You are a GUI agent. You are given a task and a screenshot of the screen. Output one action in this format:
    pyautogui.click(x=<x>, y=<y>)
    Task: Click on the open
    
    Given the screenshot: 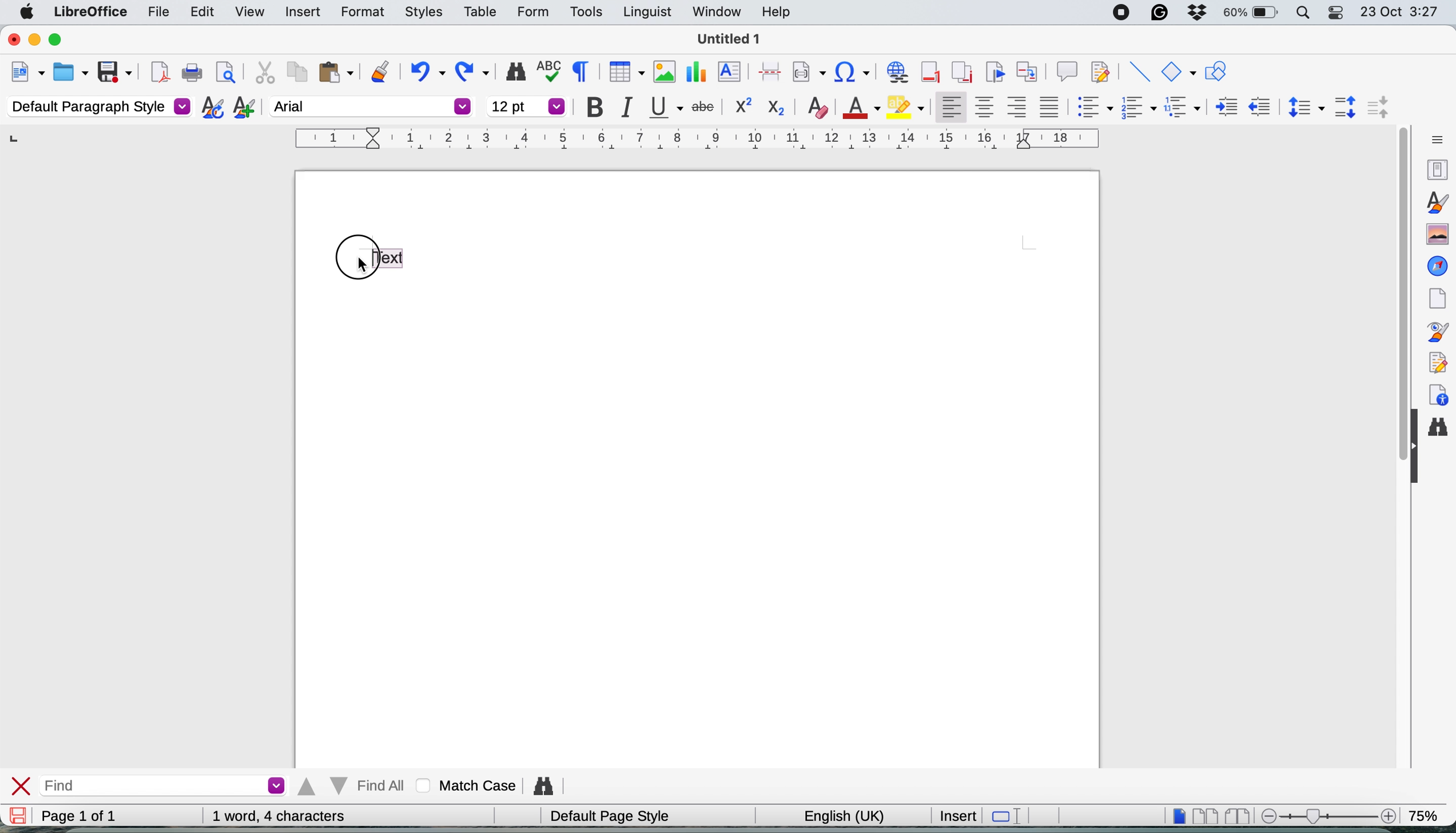 What is the action you would take?
    pyautogui.click(x=71, y=72)
    